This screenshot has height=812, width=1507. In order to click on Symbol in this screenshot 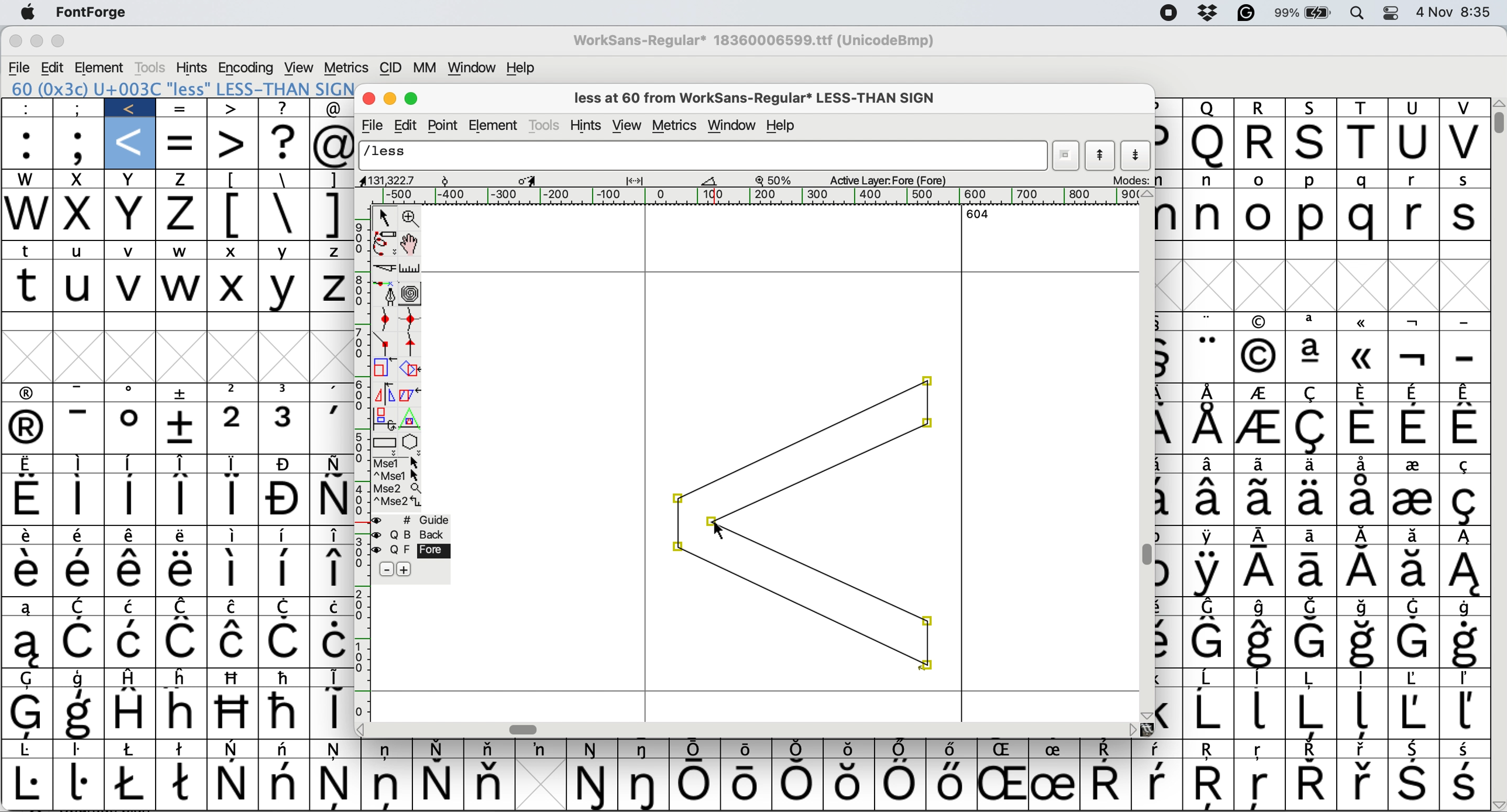, I will do `click(542, 749)`.